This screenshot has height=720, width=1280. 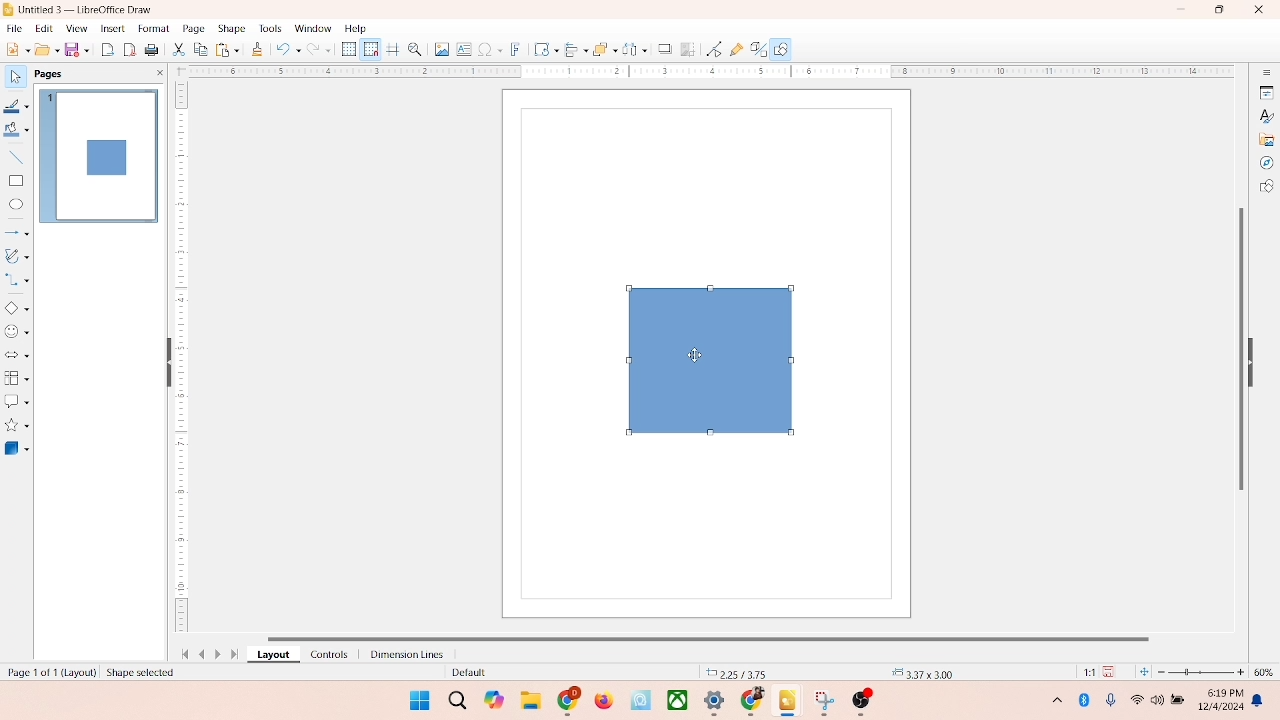 I want to click on notifications, so click(x=1259, y=699).